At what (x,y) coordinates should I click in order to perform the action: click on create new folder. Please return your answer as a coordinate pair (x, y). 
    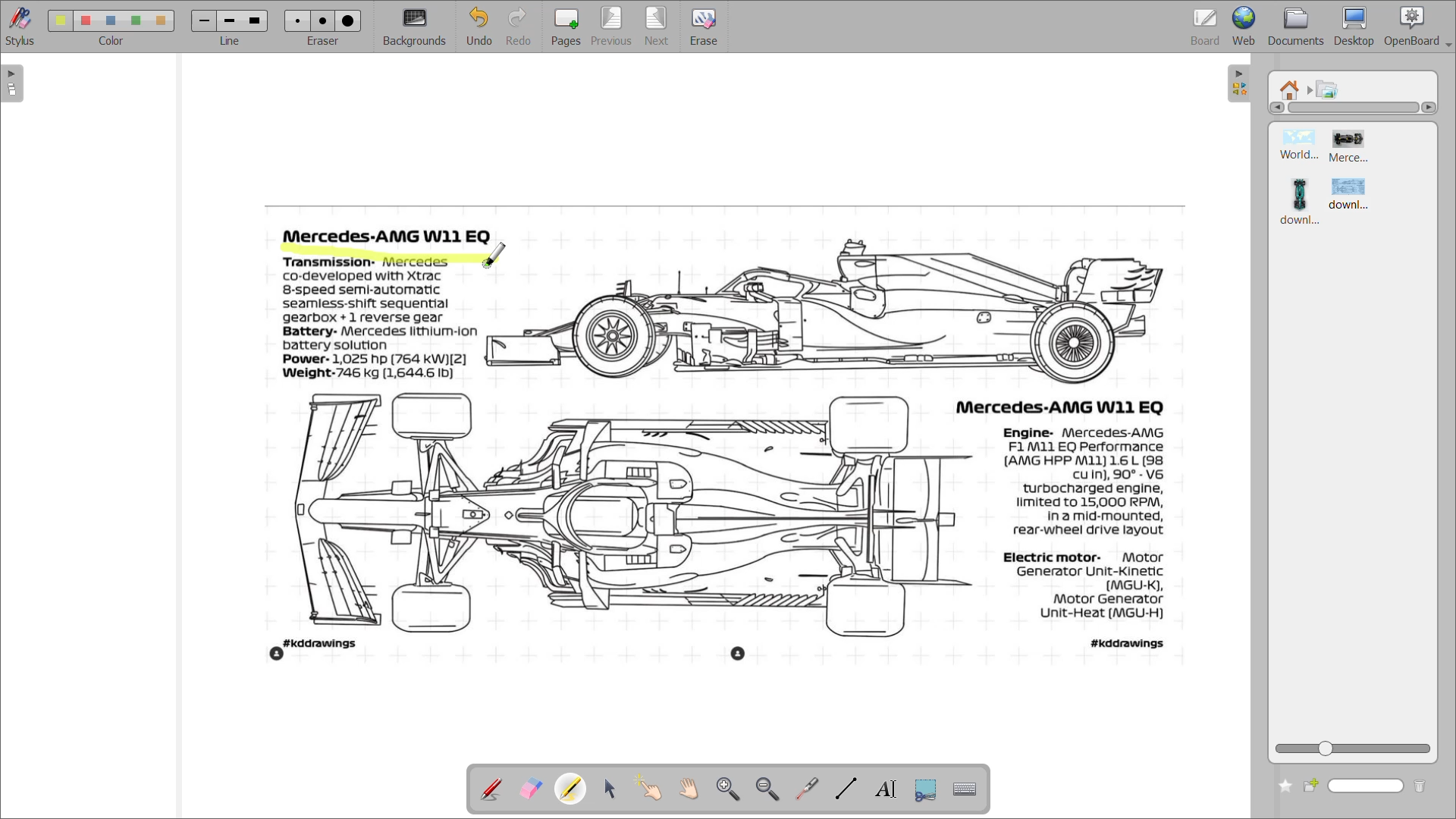
    Looking at the image, I should click on (1313, 786).